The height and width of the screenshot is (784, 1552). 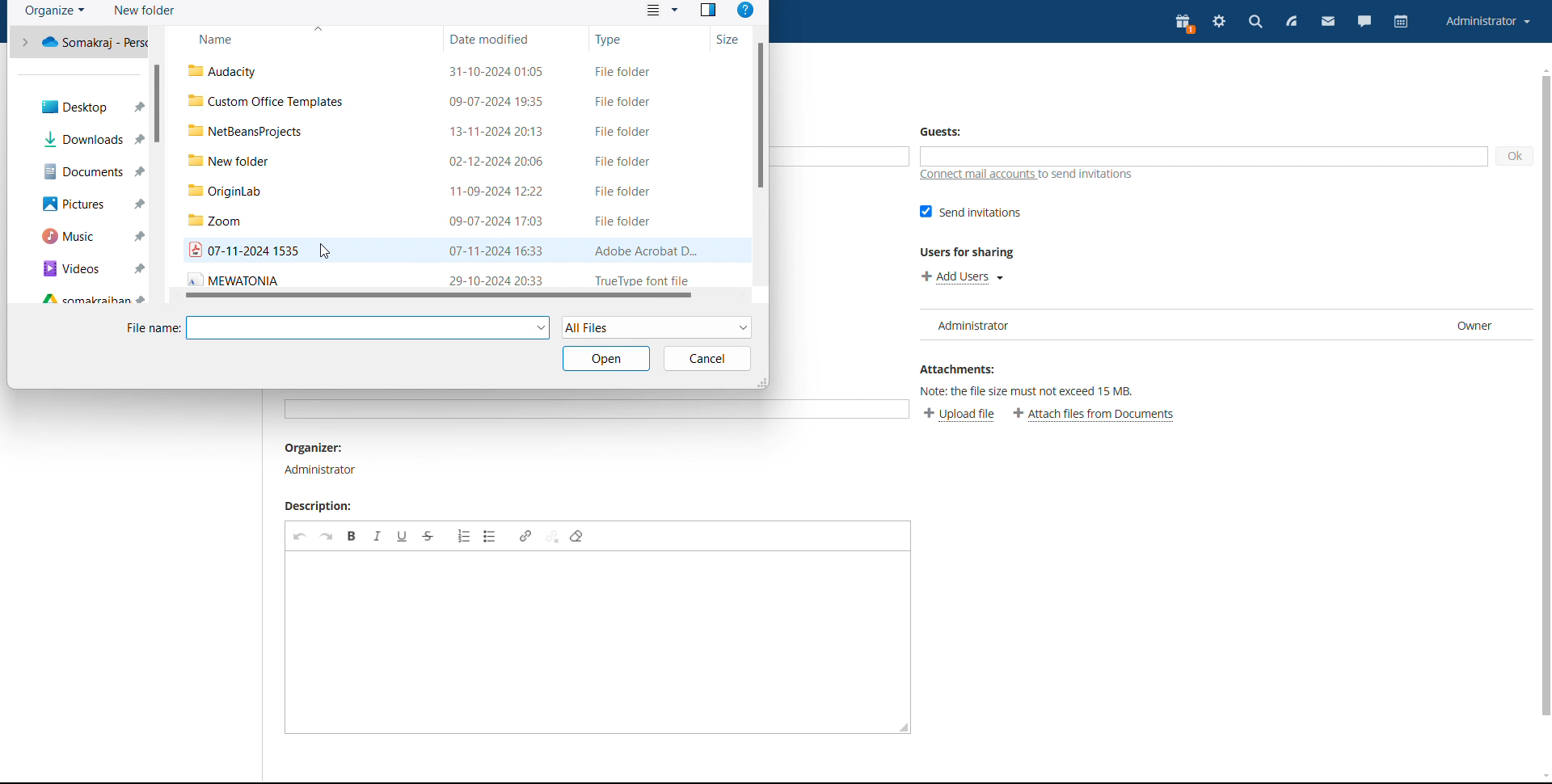 What do you see at coordinates (79, 298) in the screenshot?
I see `quick access folders` at bounding box center [79, 298].